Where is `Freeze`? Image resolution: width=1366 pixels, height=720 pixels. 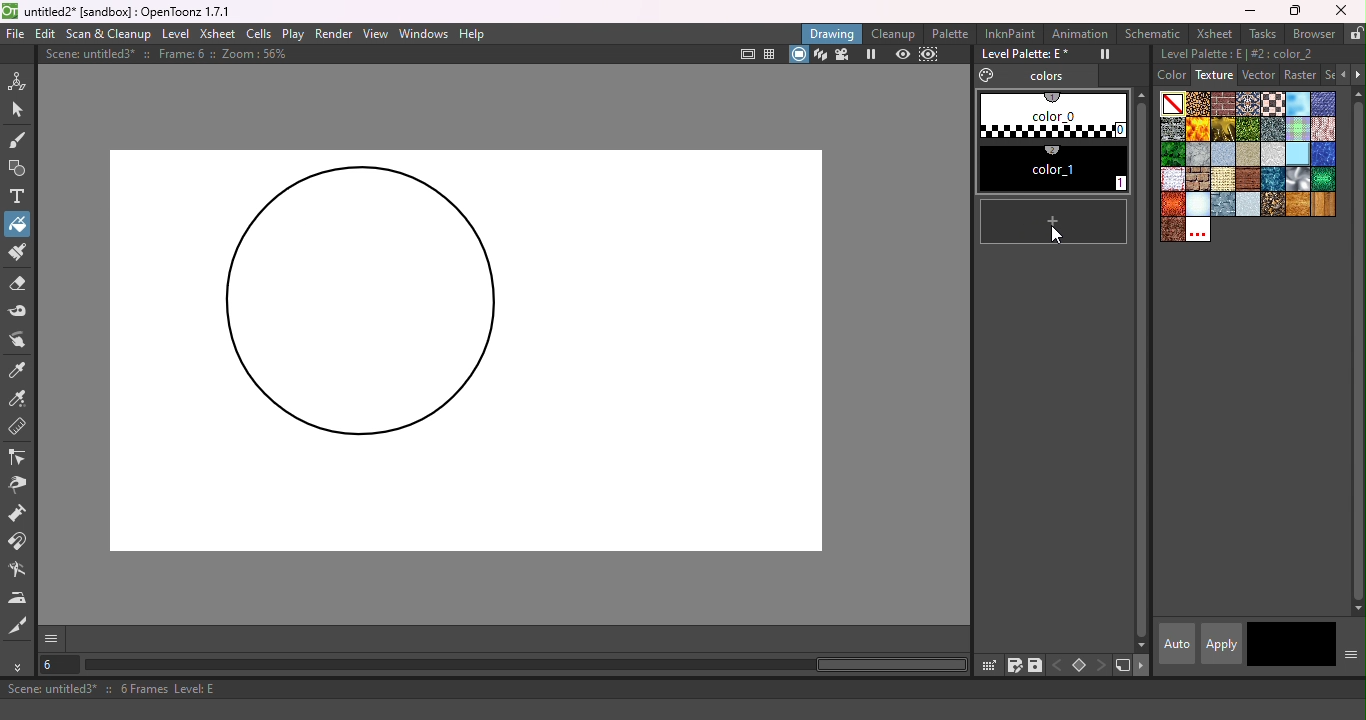
Freeze is located at coordinates (1099, 55).